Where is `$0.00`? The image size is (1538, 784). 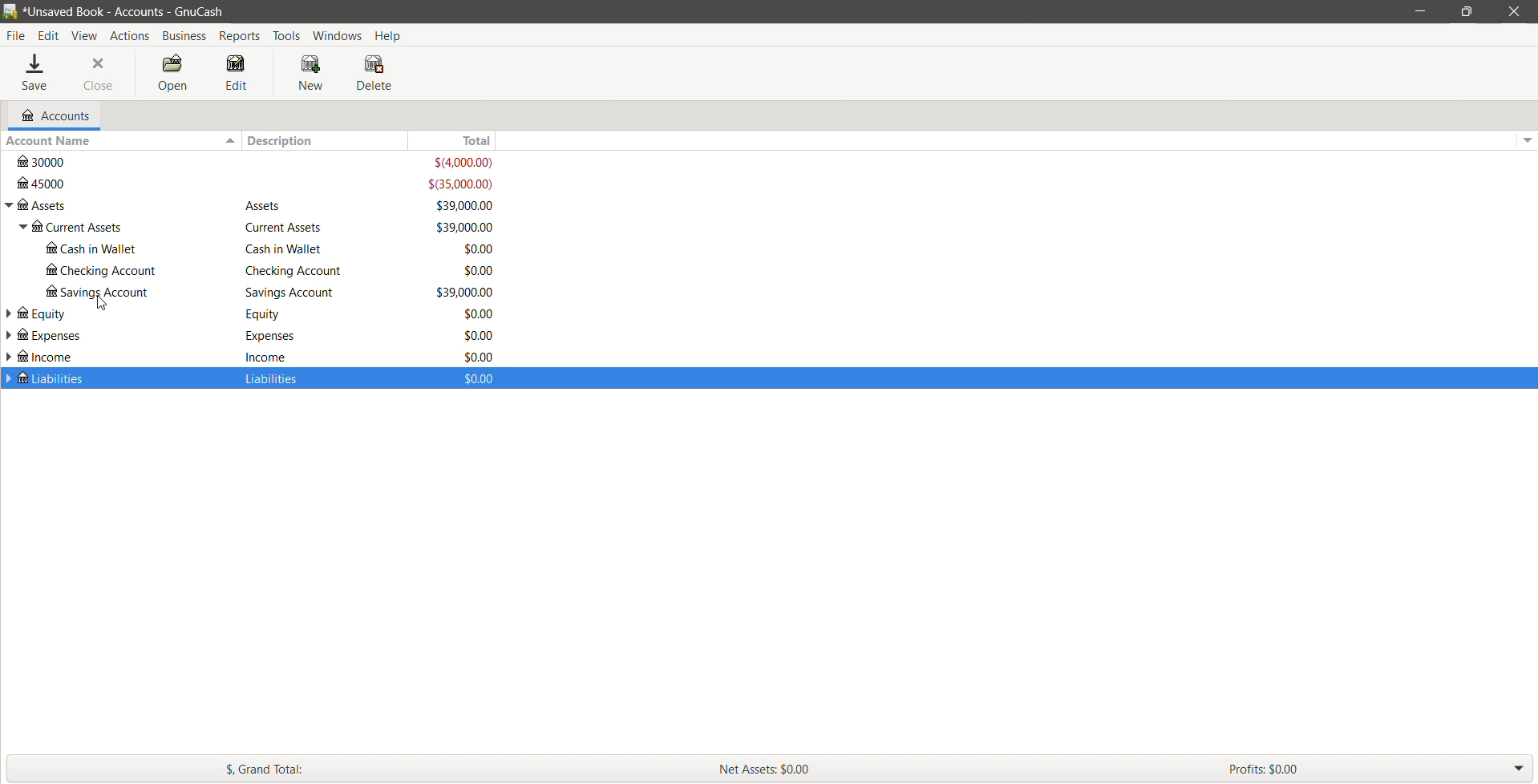
$0.00 is located at coordinates (483, 381).